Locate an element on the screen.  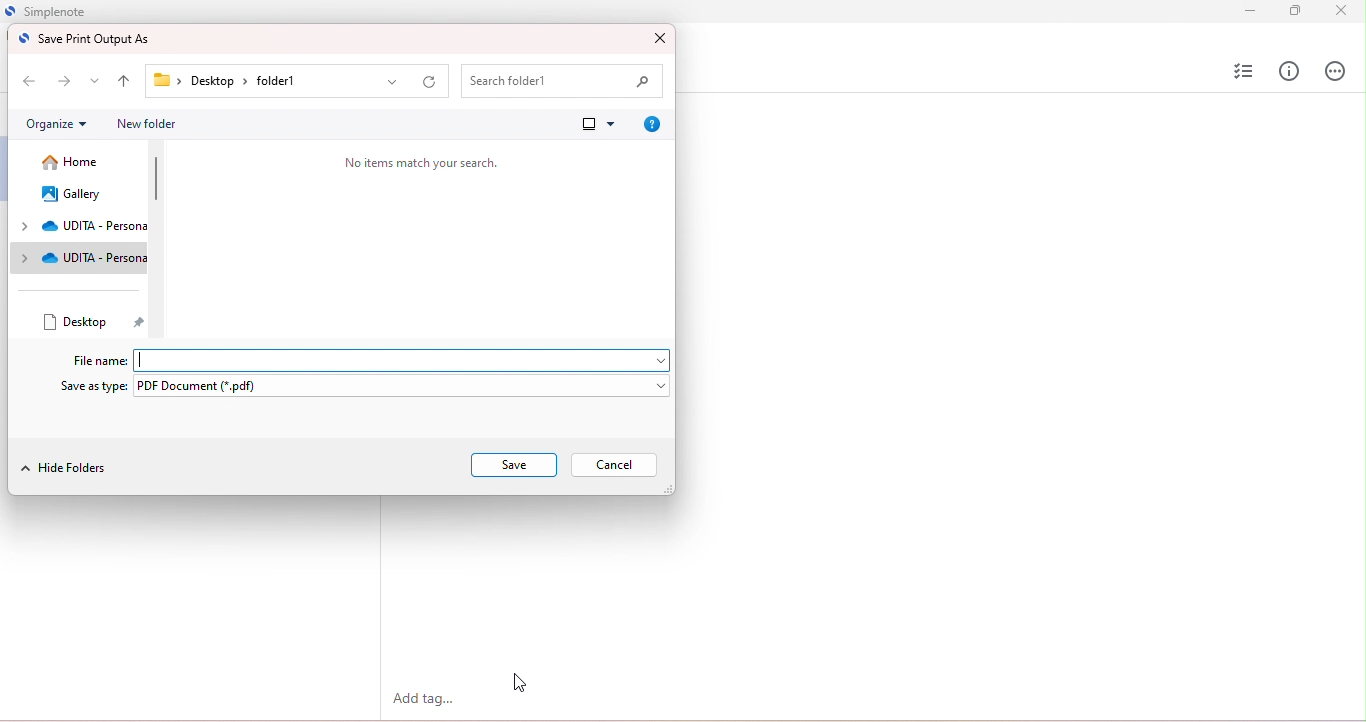
udita-personal is located at coordinates (80, 257).